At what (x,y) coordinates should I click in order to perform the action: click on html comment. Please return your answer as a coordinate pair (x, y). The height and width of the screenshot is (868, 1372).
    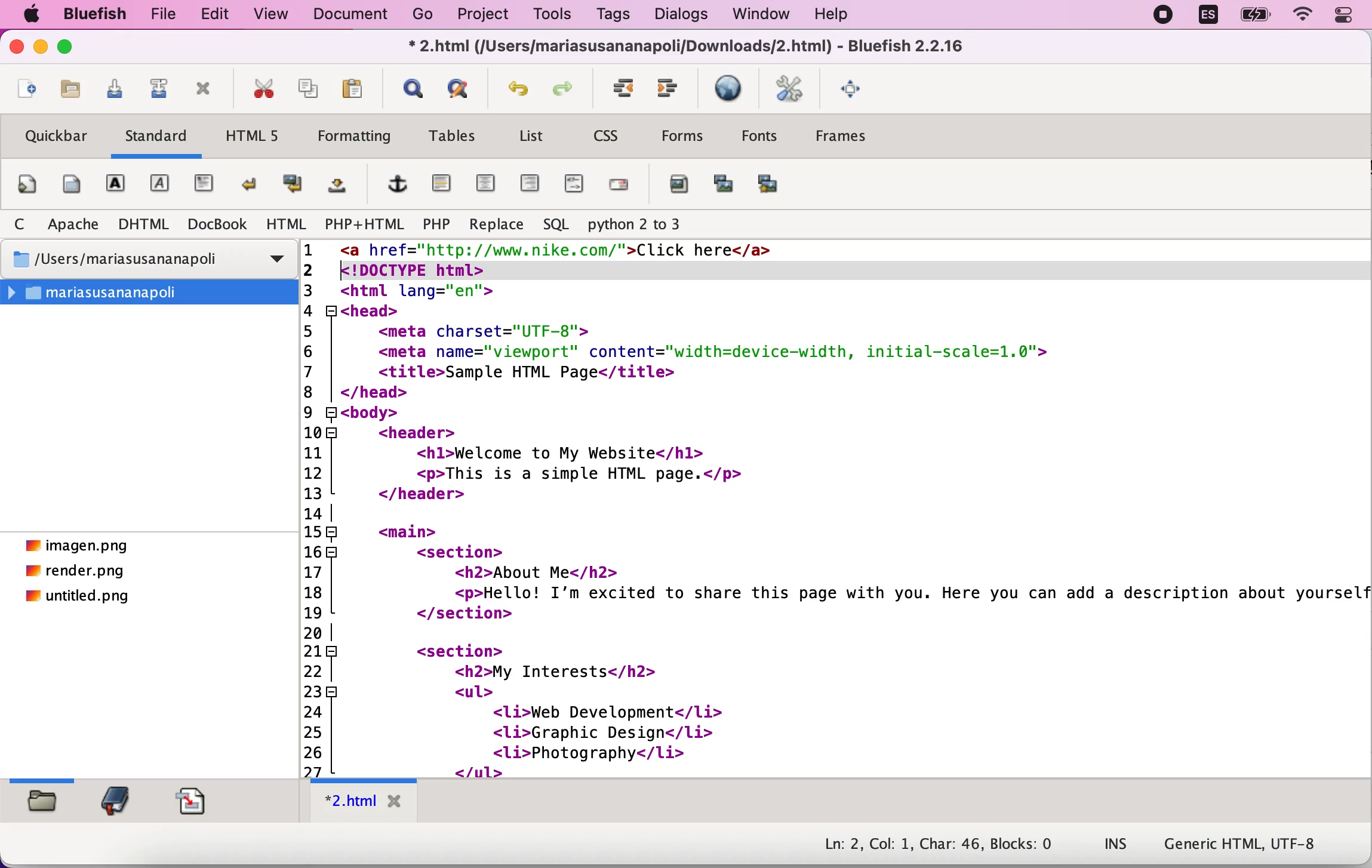
    Looking at the image, I should click on (570, 184).